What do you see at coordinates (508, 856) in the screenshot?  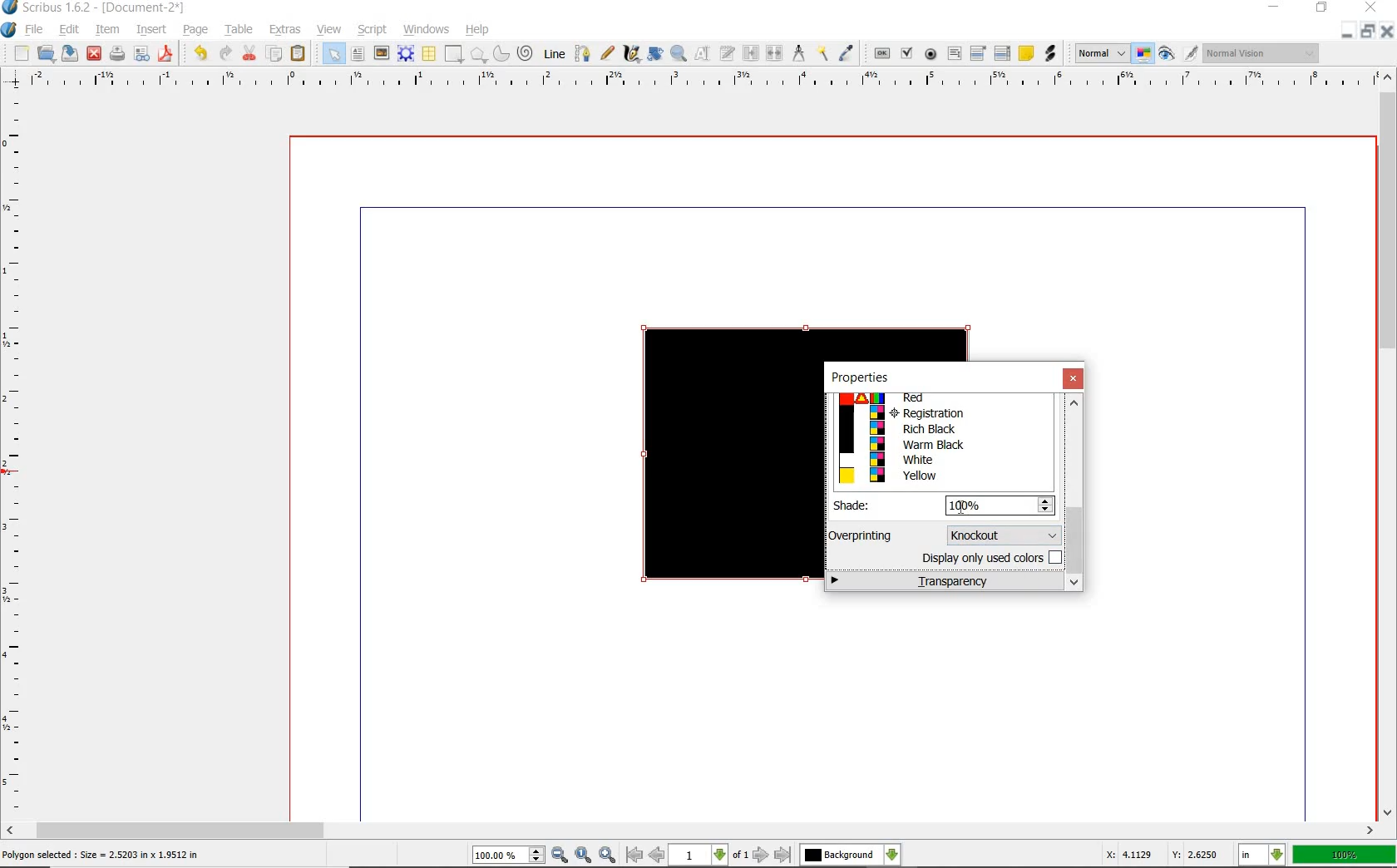 I see `select current zoom level` at bounding box center [508, 856].